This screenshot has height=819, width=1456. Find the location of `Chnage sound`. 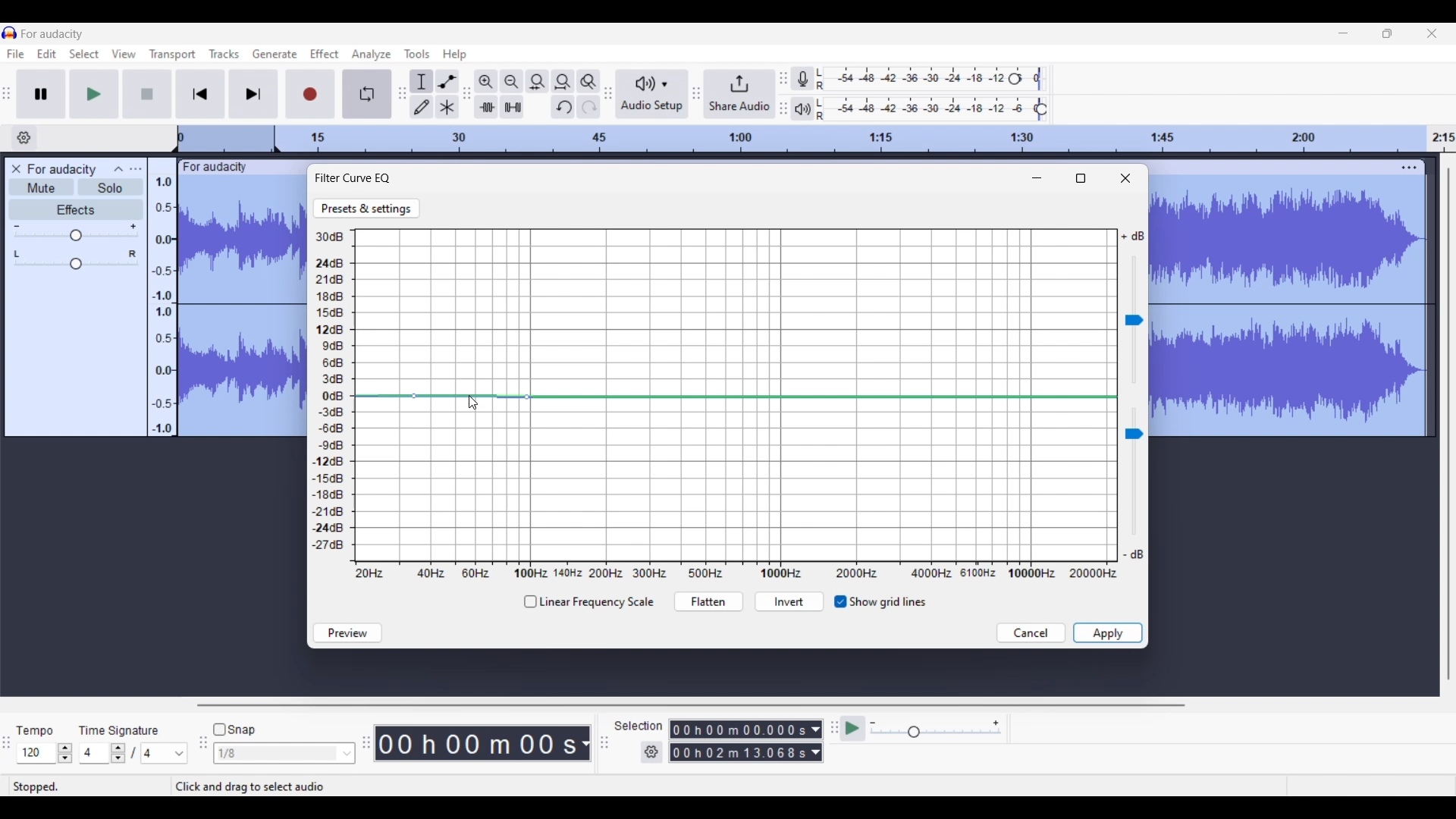

Chnage sound is located at coordinates (1134, 472).